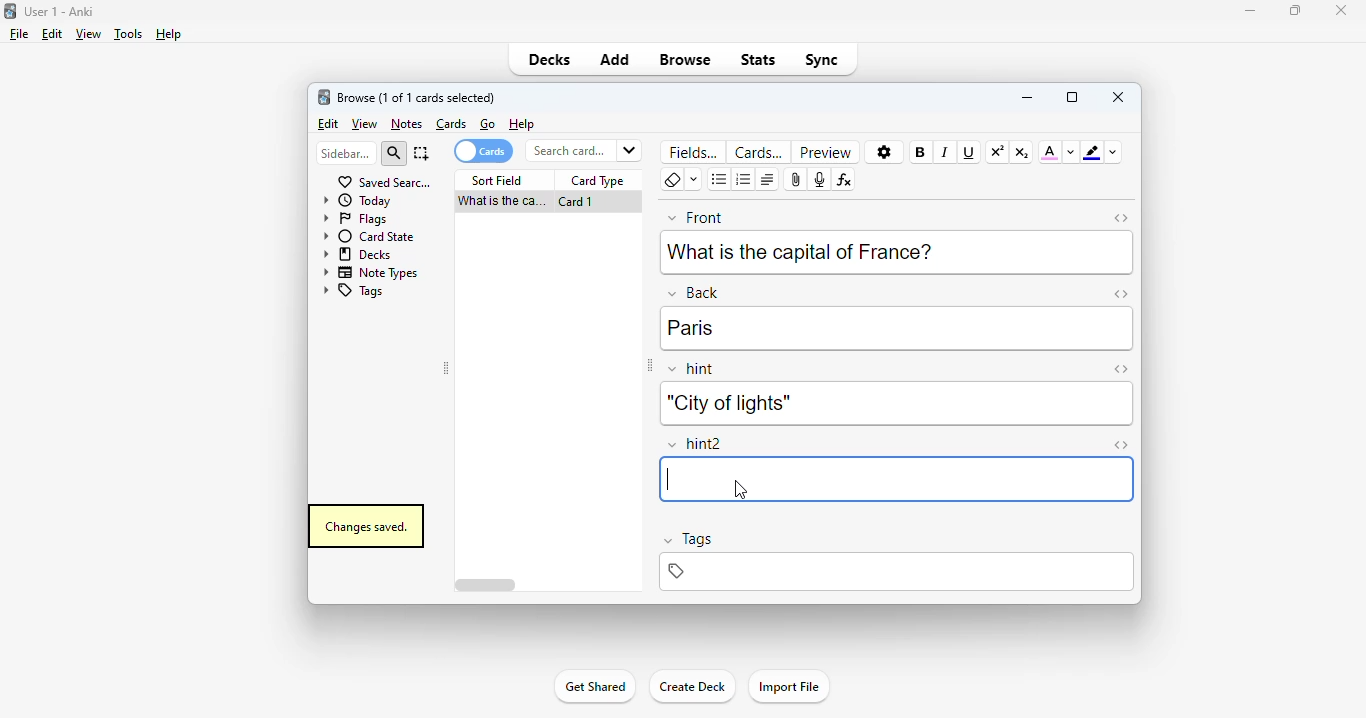 The width and height of the screenshot is (1366, 718). Describe the element at coordinates (691, 328) in the screenshot. I see `paris` at that location.